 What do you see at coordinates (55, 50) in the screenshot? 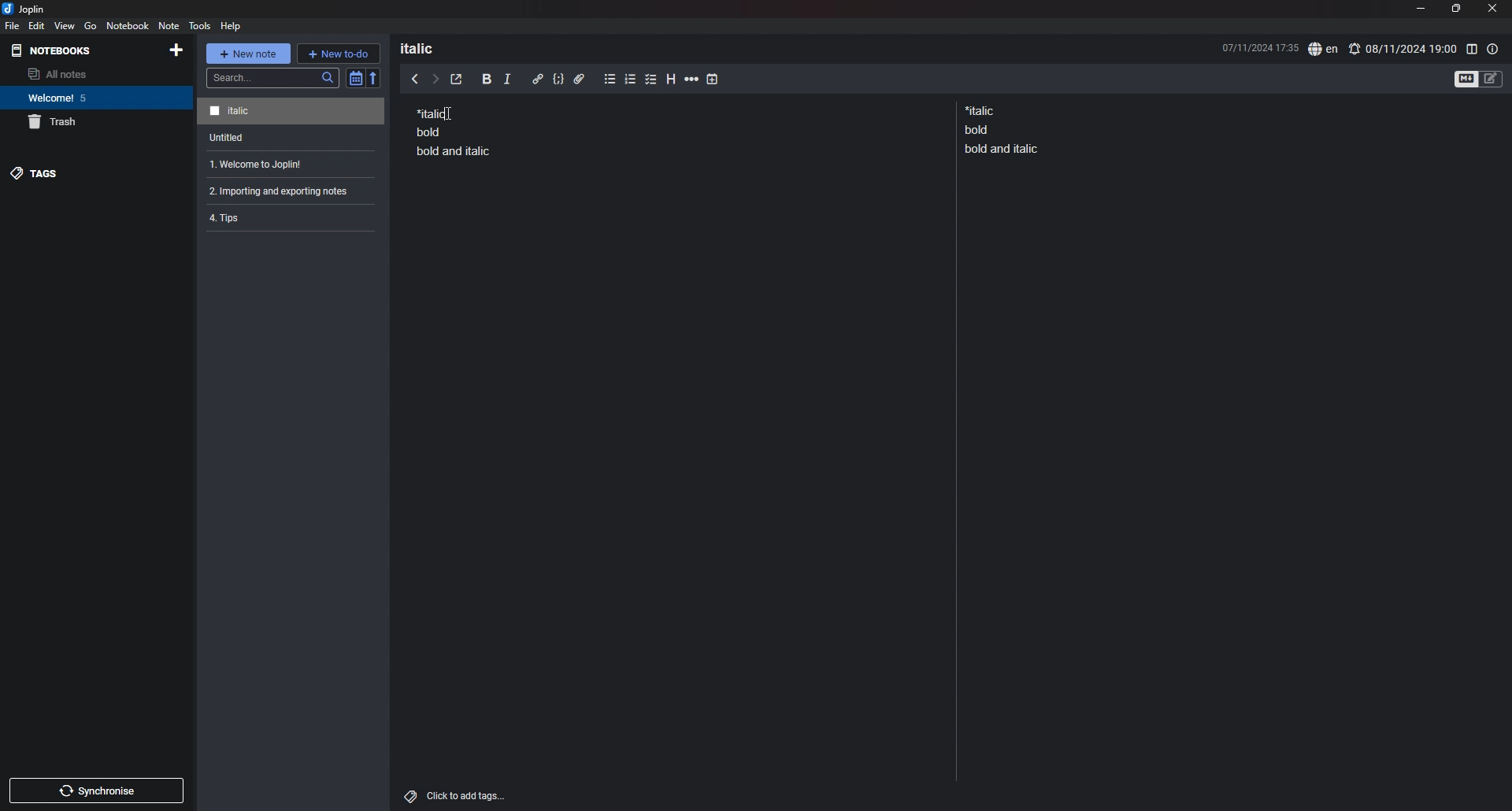
I see `notebooks` at bounding box center [55, 50].